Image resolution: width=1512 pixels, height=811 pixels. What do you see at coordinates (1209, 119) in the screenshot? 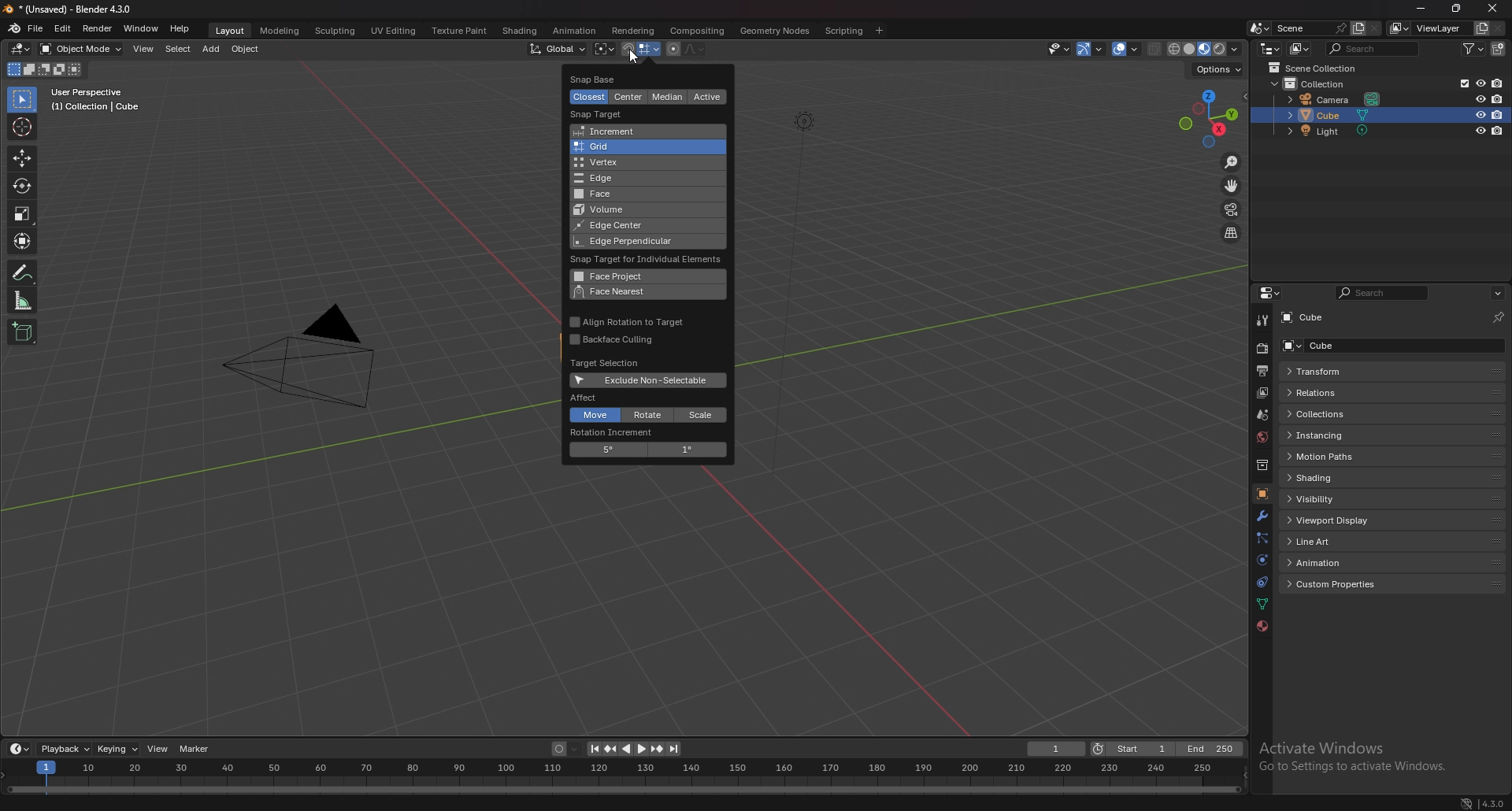
I see `preset viewpoint` at bounding box center [1209, 119].